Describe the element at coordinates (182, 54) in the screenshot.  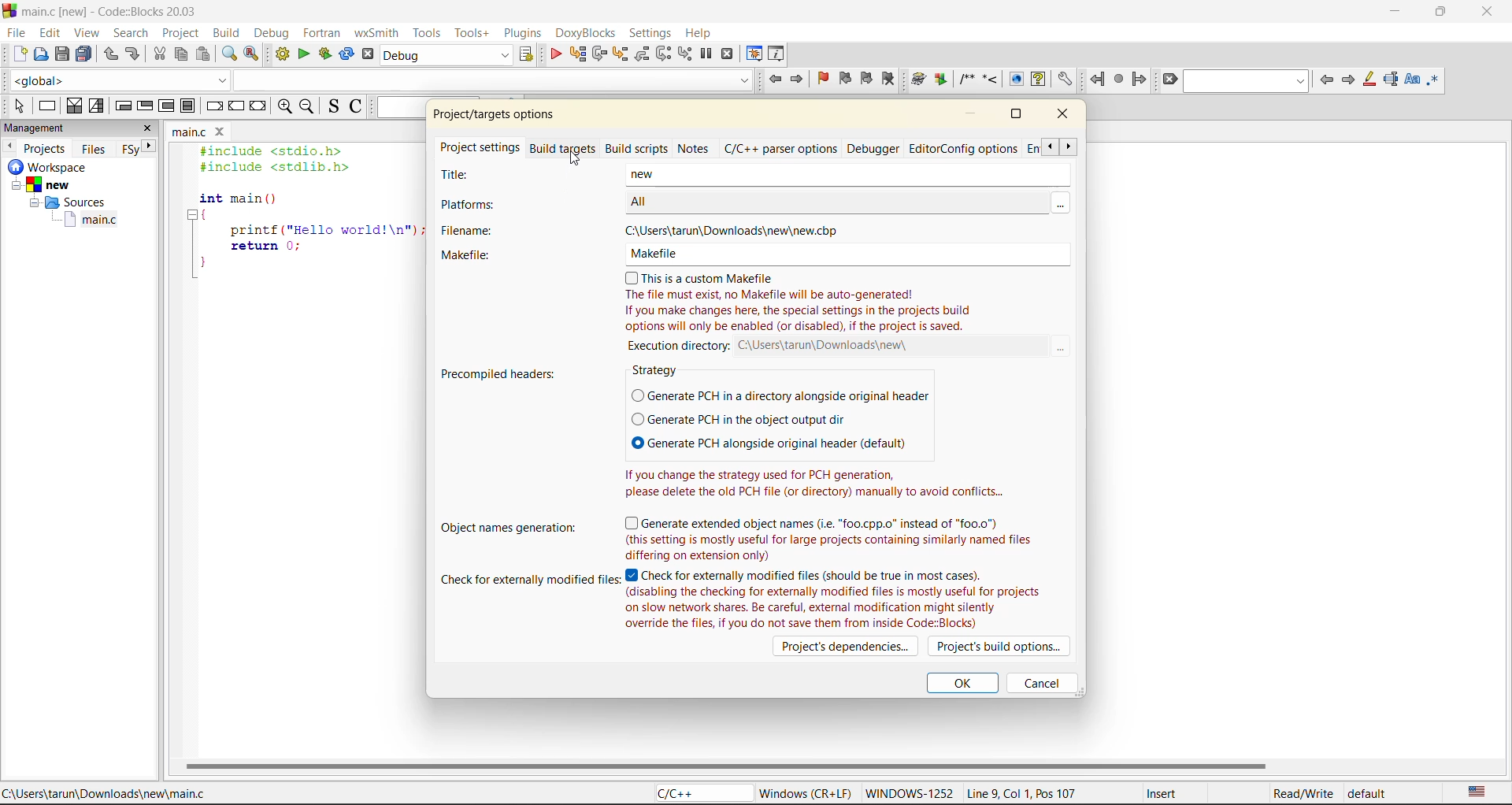
I see `copy` at that location.